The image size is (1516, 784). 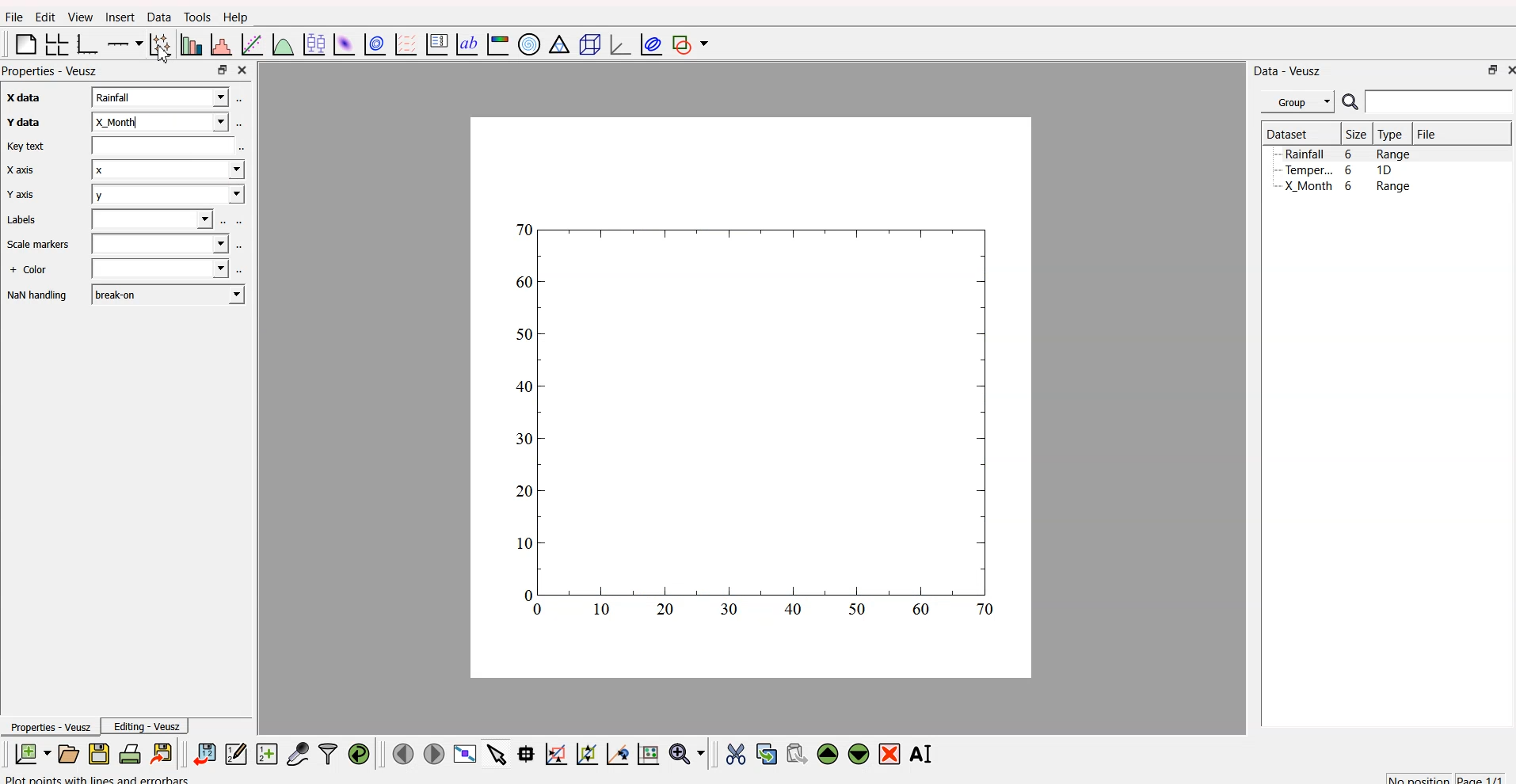 What do you see at coordinates (524, 753) in the screenshot?
I see `read datapoint on graph` at bounding box center [524, 753].